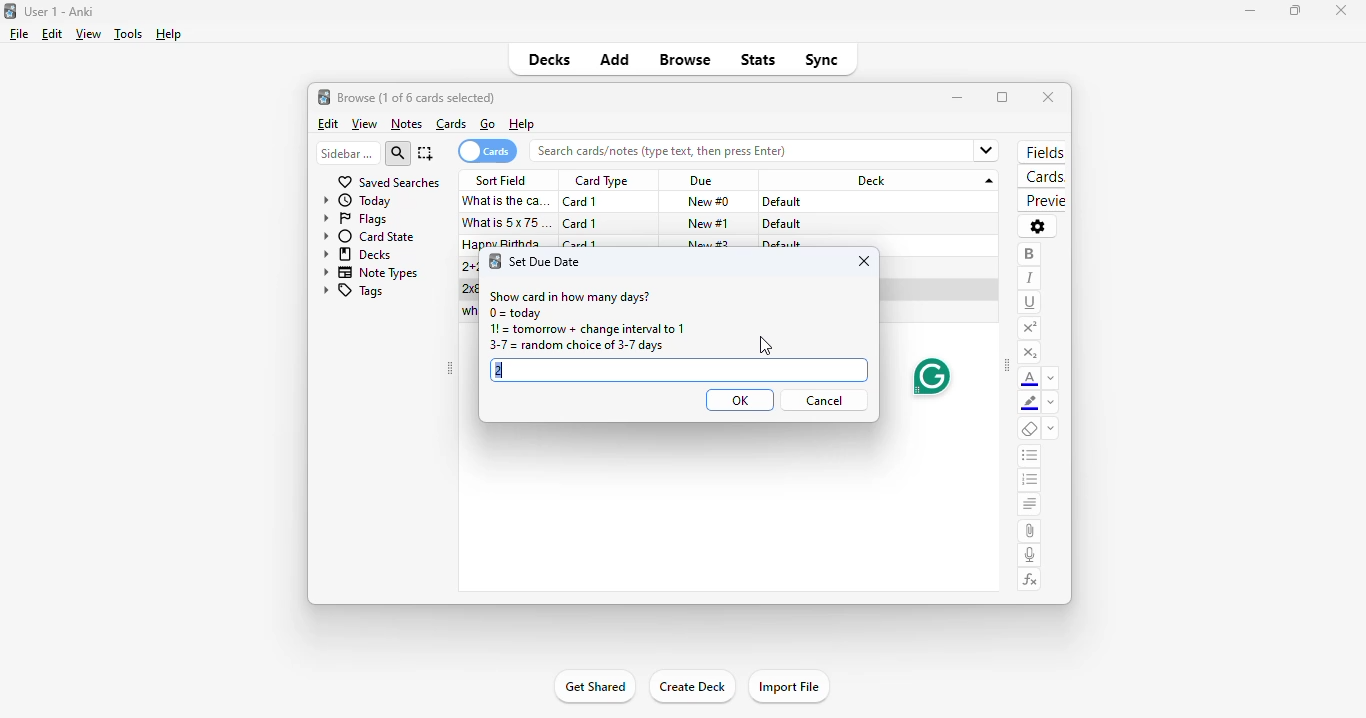 This screenshot has height=718, width=1366. Describe the element at coordinates (1048, 97) in the screenshot. I see `close` at that location.